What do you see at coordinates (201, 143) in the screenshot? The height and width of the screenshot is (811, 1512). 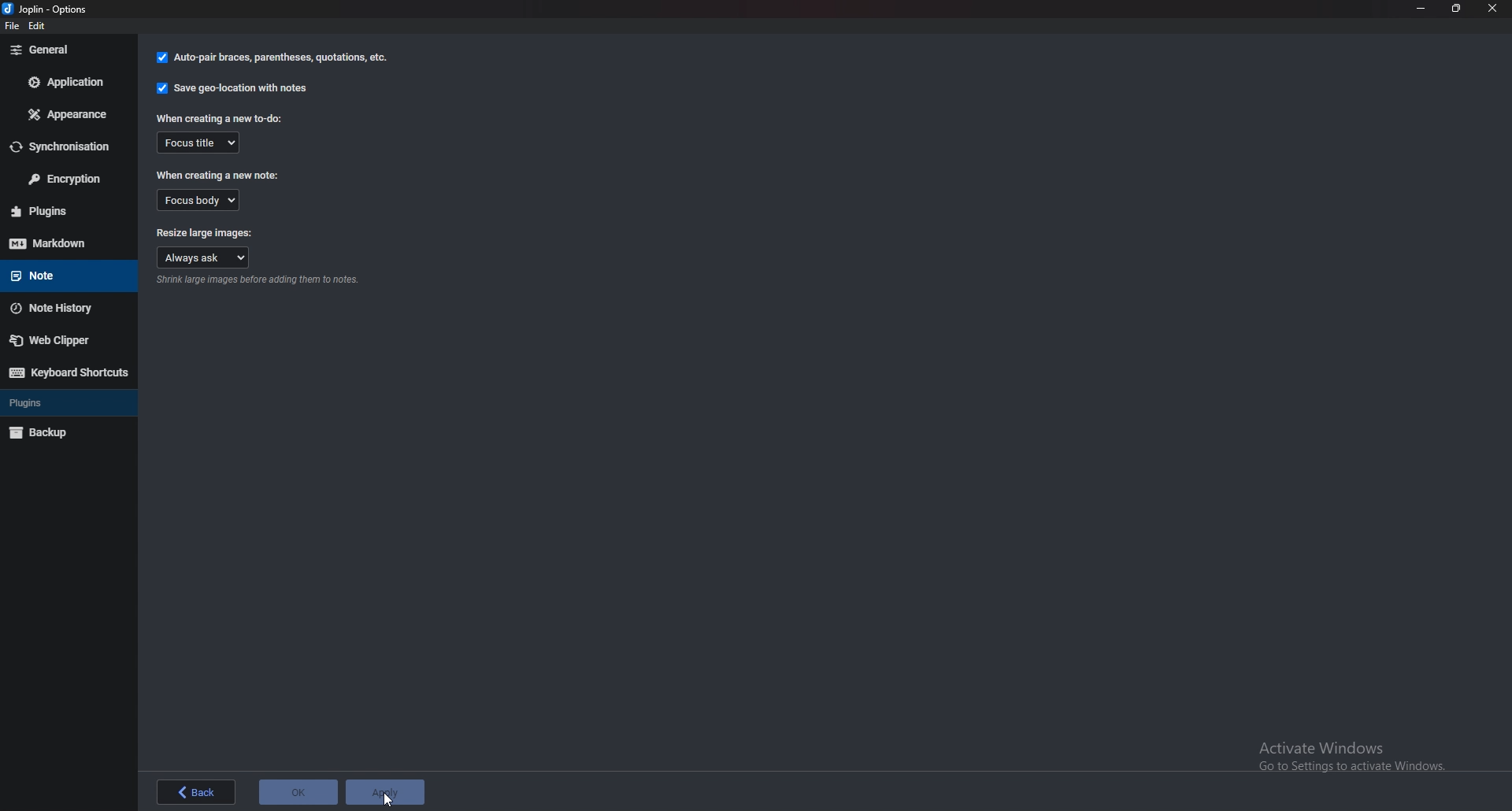 I see `Focus title` at bounding box center [201, 143].